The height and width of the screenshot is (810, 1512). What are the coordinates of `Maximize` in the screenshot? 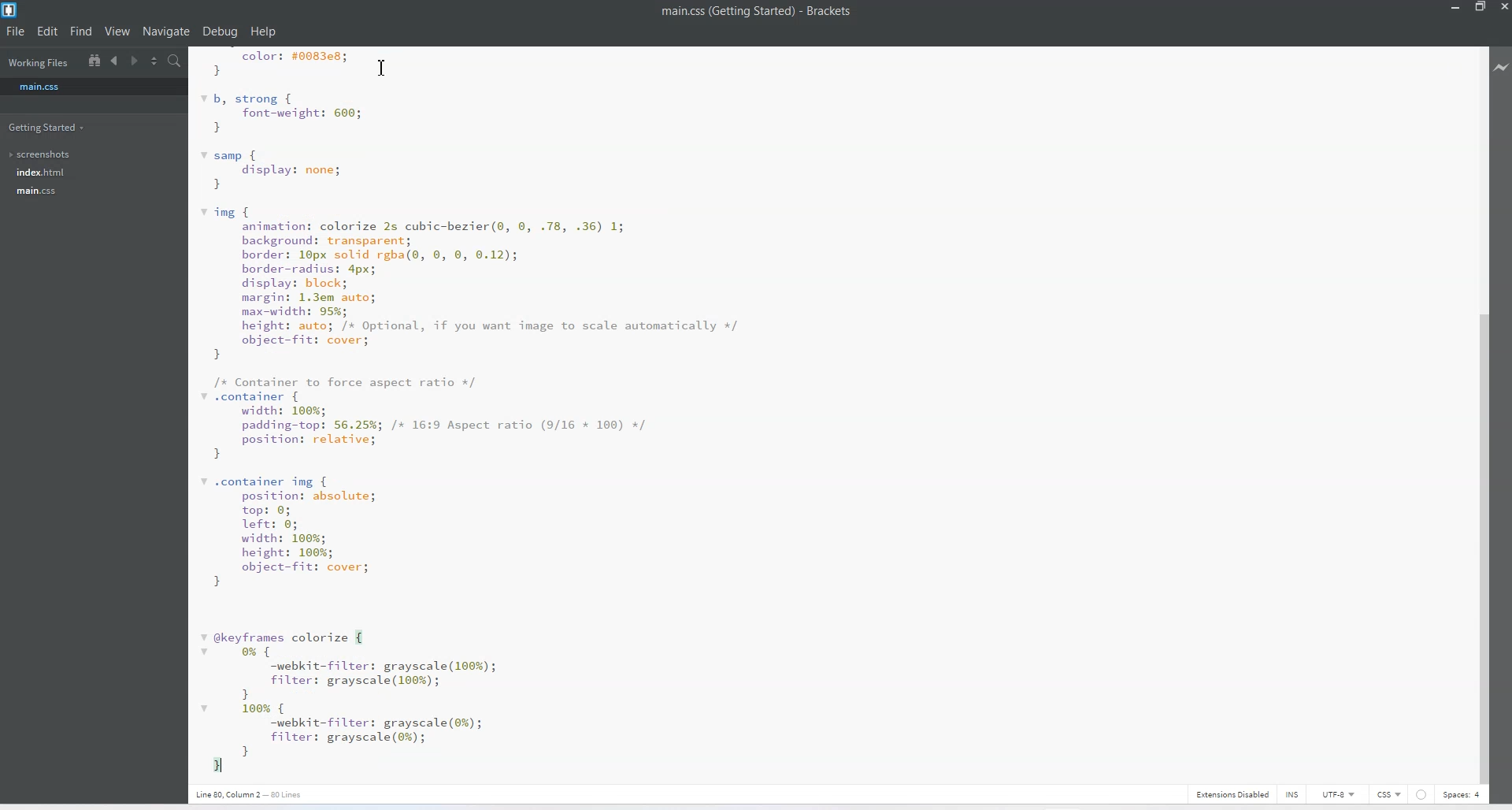 It's located at (1480, 8).